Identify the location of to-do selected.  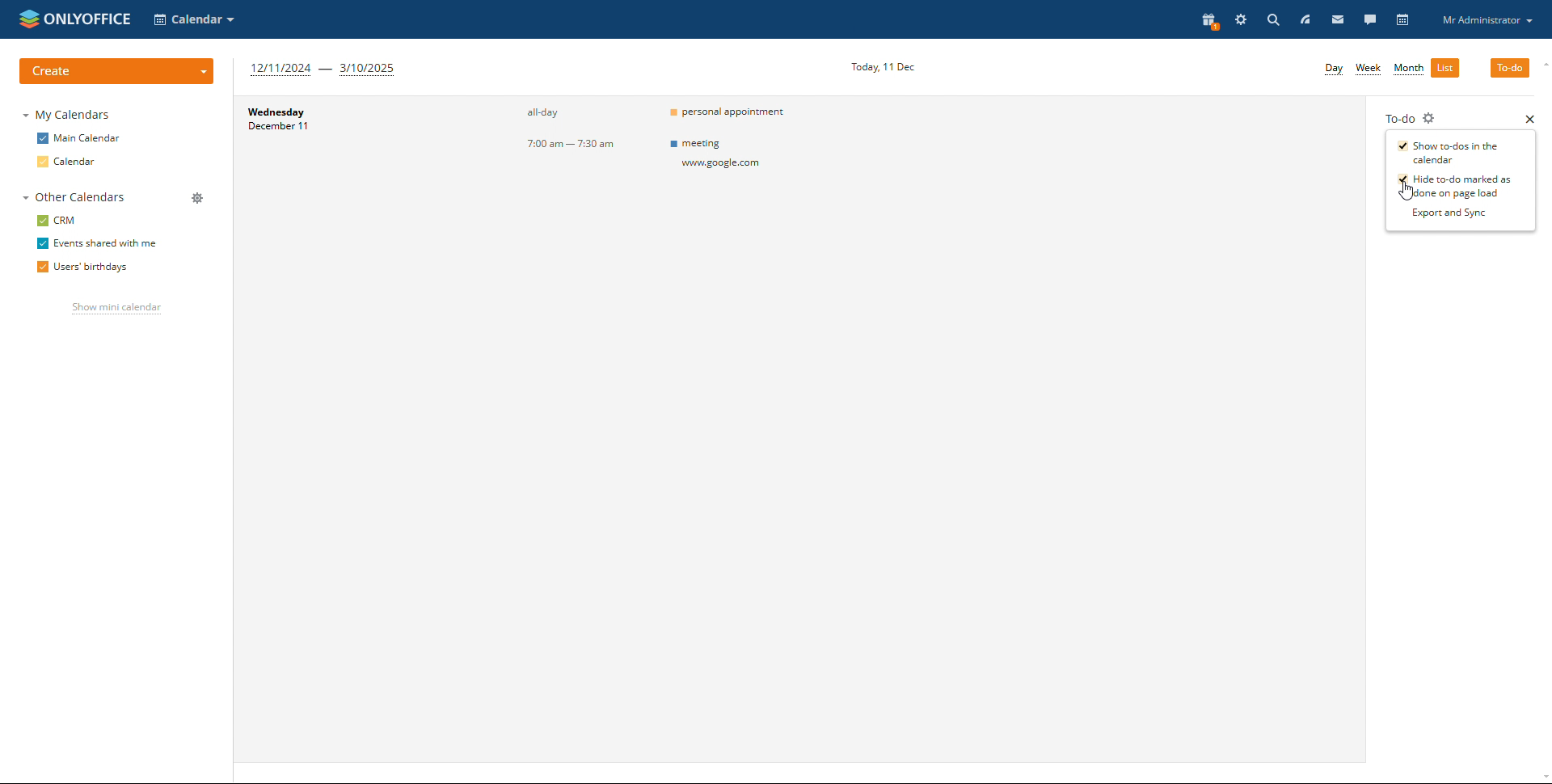
(1510, 67).